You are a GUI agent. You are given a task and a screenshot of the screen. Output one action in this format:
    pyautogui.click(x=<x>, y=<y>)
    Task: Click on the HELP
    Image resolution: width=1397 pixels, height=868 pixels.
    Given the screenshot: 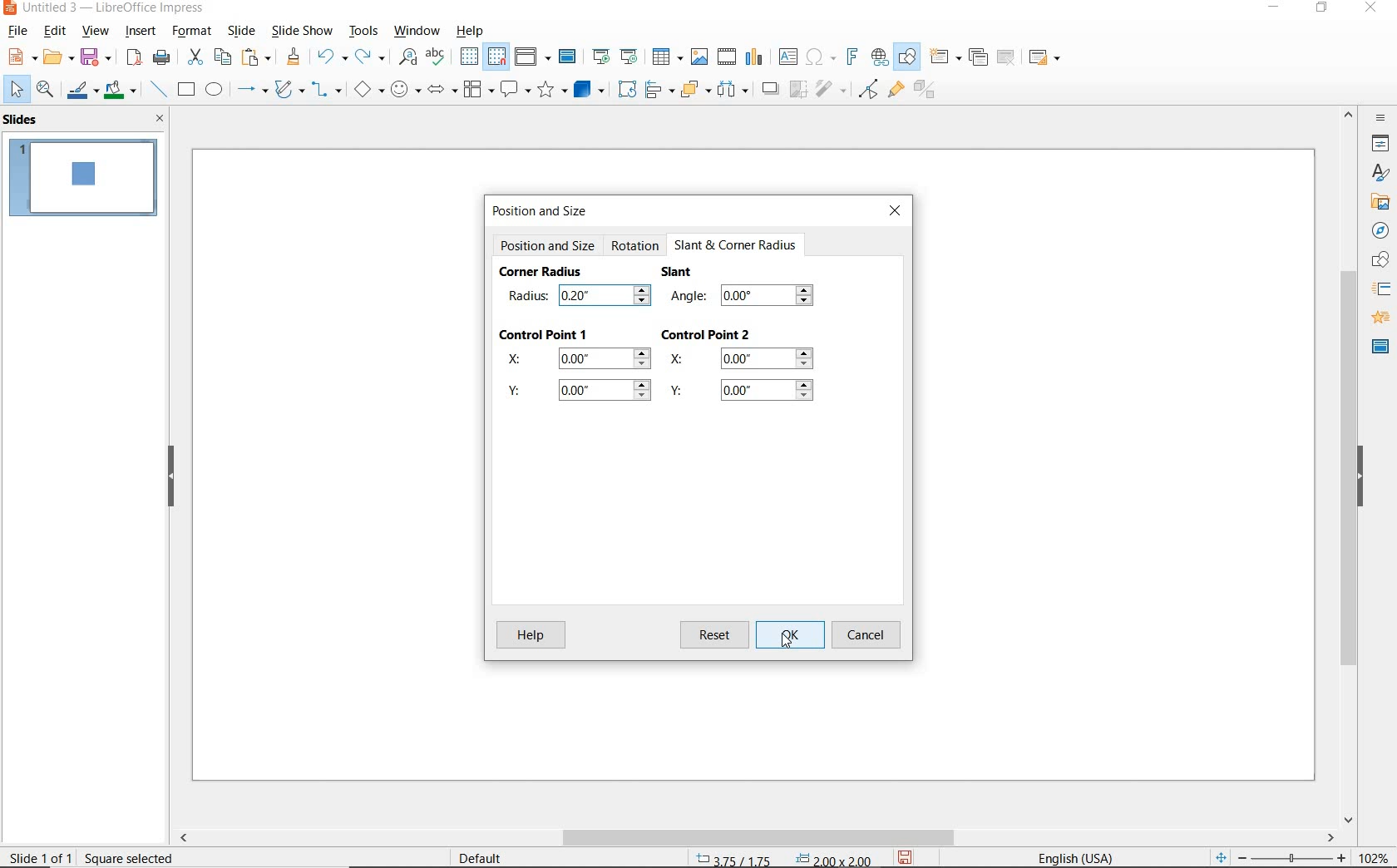 What is the action you would take?
    pyautogui.click(x=531, y=635)
    